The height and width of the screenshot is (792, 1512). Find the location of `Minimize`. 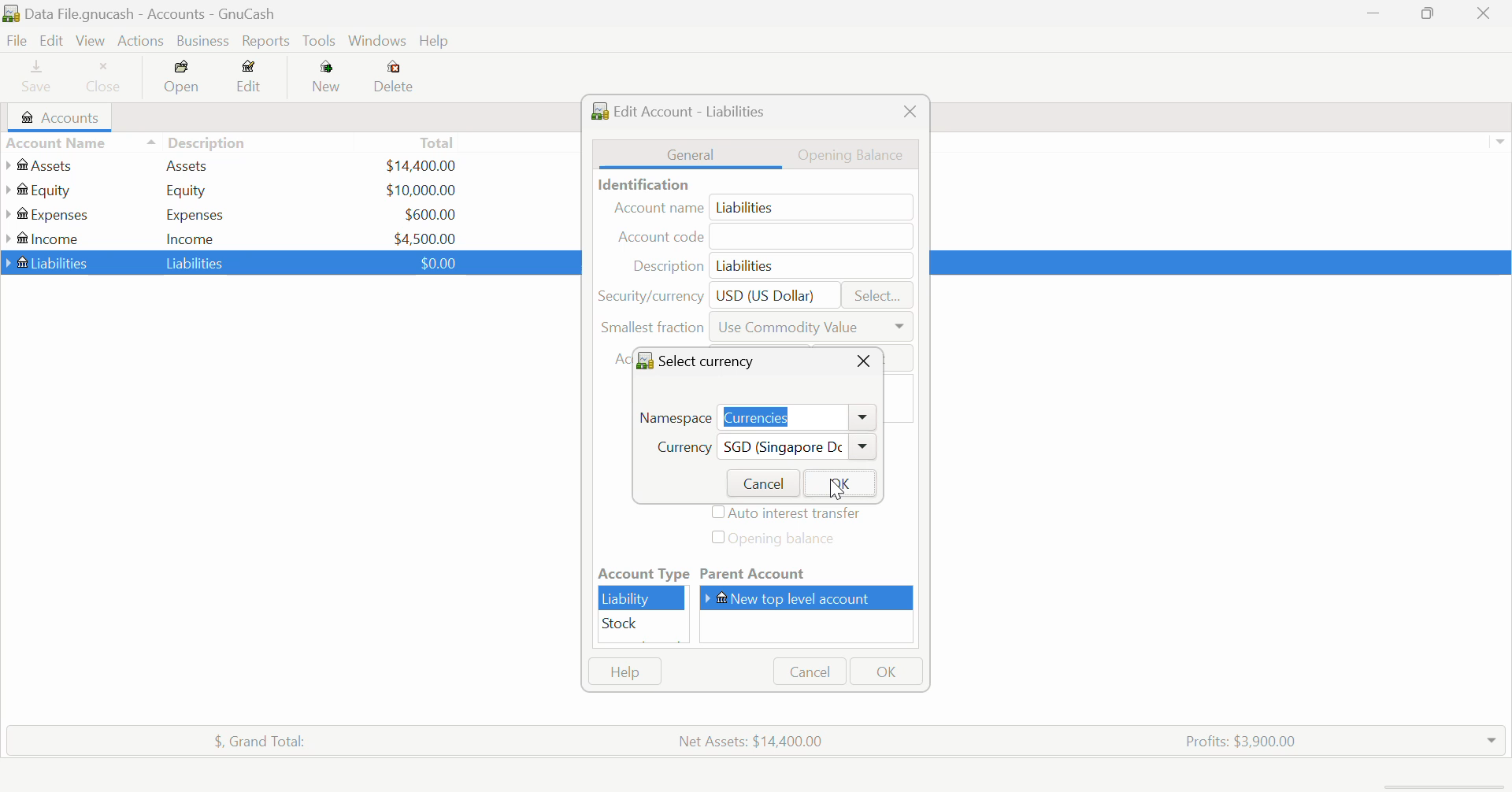

Minimize is located at coordinates (1430, 15).